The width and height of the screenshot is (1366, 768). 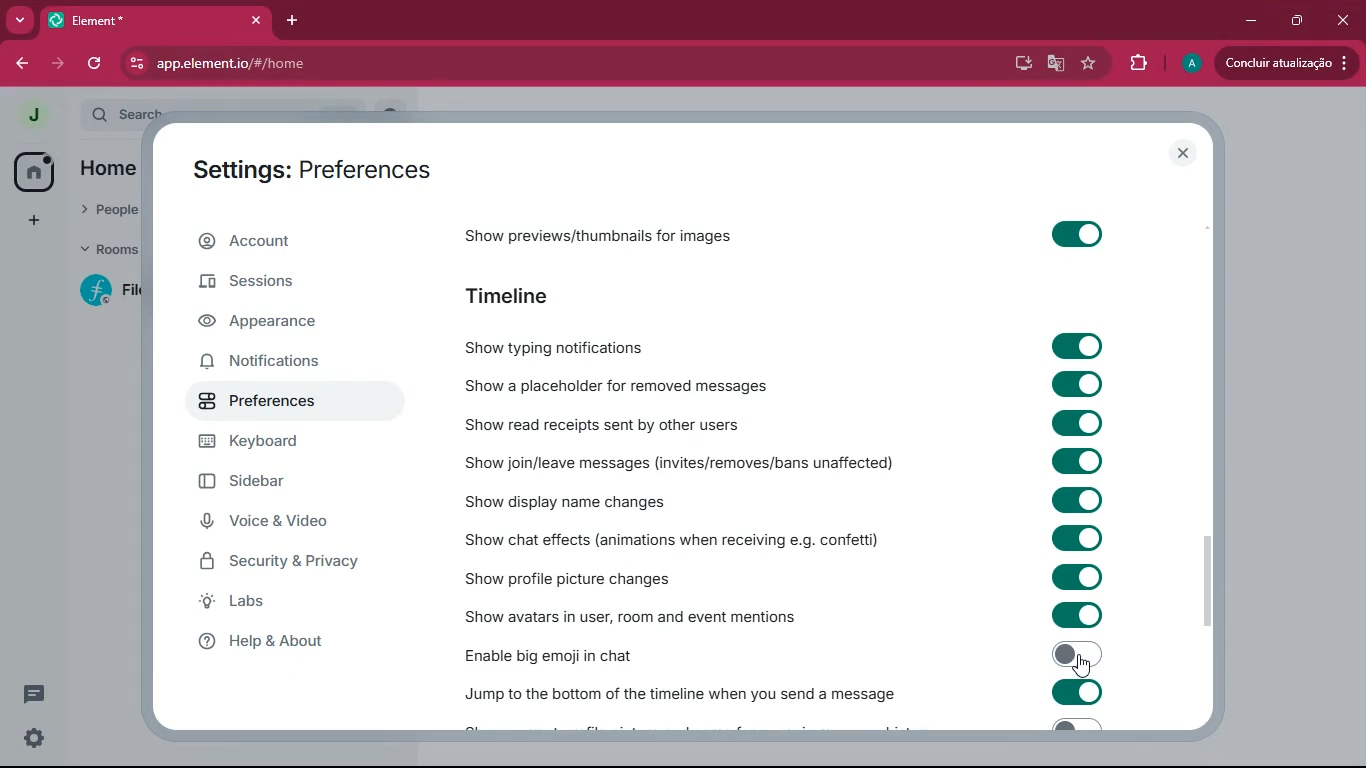 I want to click on toggle on , so click(x=1076, y=385).